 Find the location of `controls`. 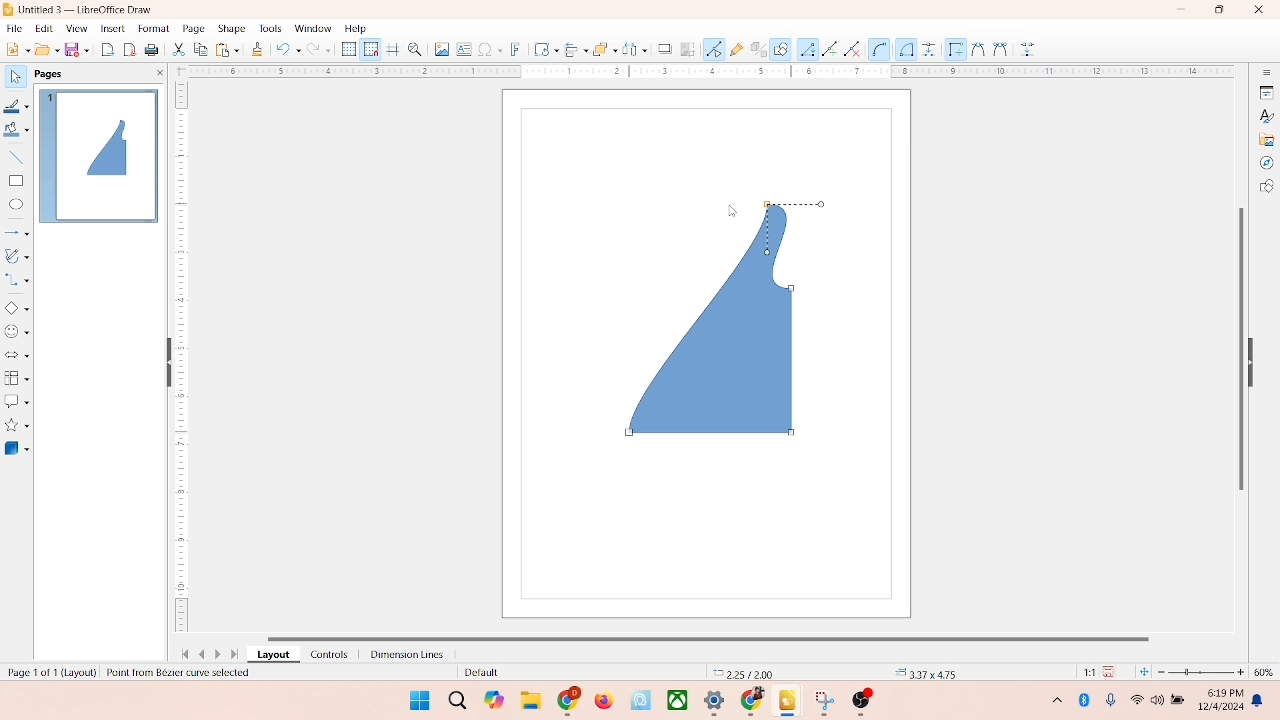

controls is located at coordinates (324, 654).